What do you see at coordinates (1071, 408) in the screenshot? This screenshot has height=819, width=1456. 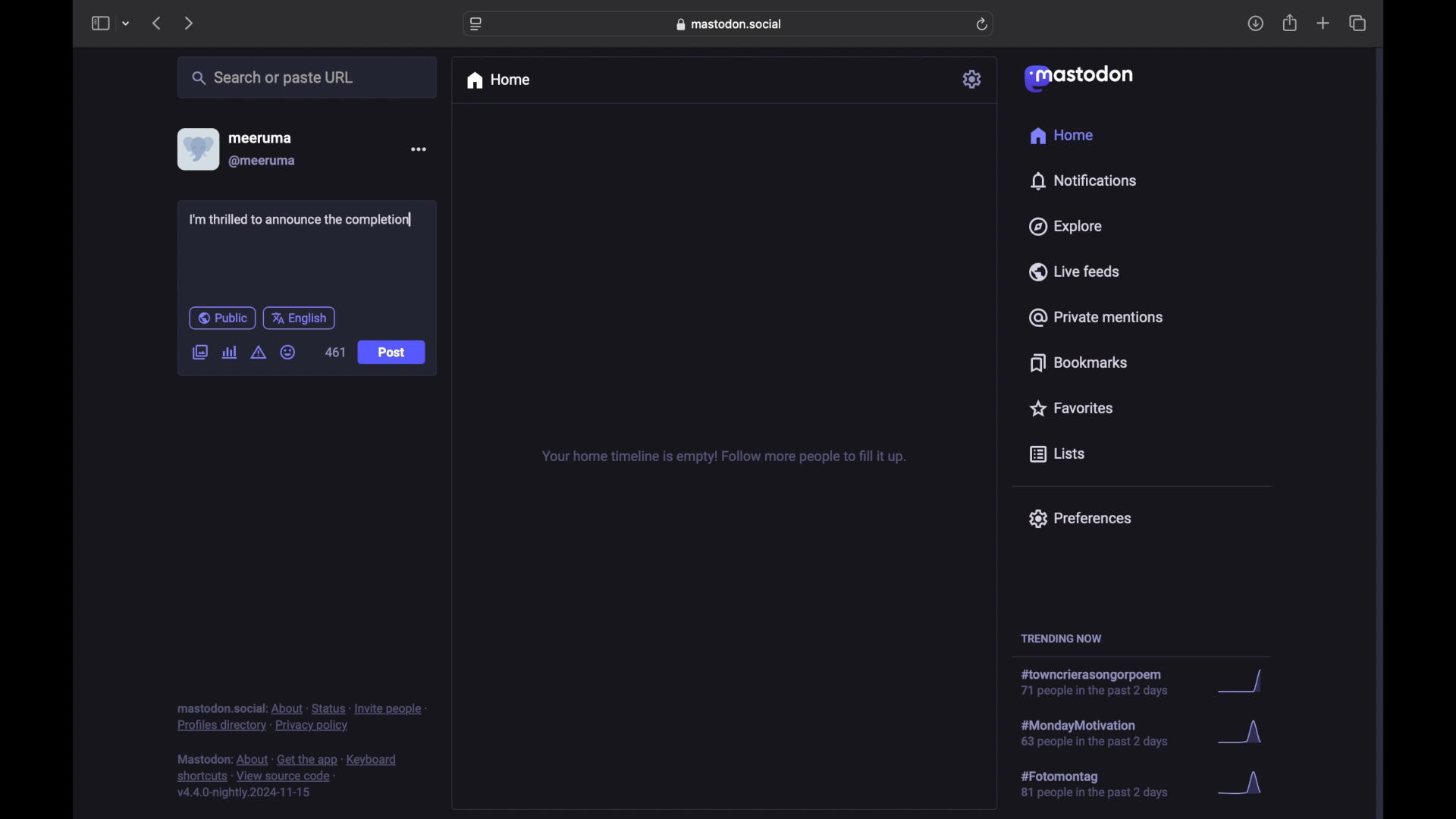 I see `favorites` at bounding box center [1071, 408].